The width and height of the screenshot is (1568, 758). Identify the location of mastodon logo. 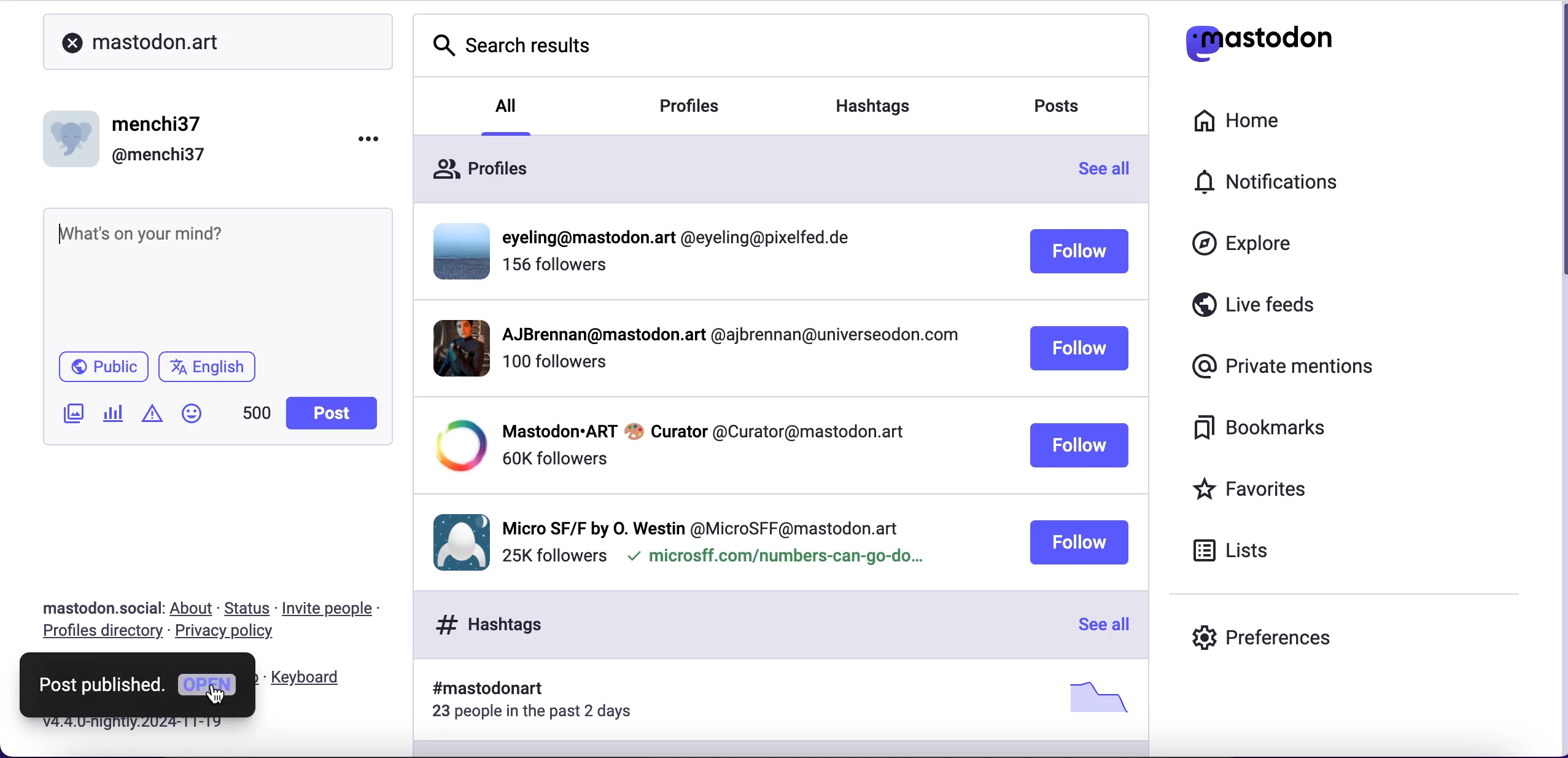
(1257, 43).